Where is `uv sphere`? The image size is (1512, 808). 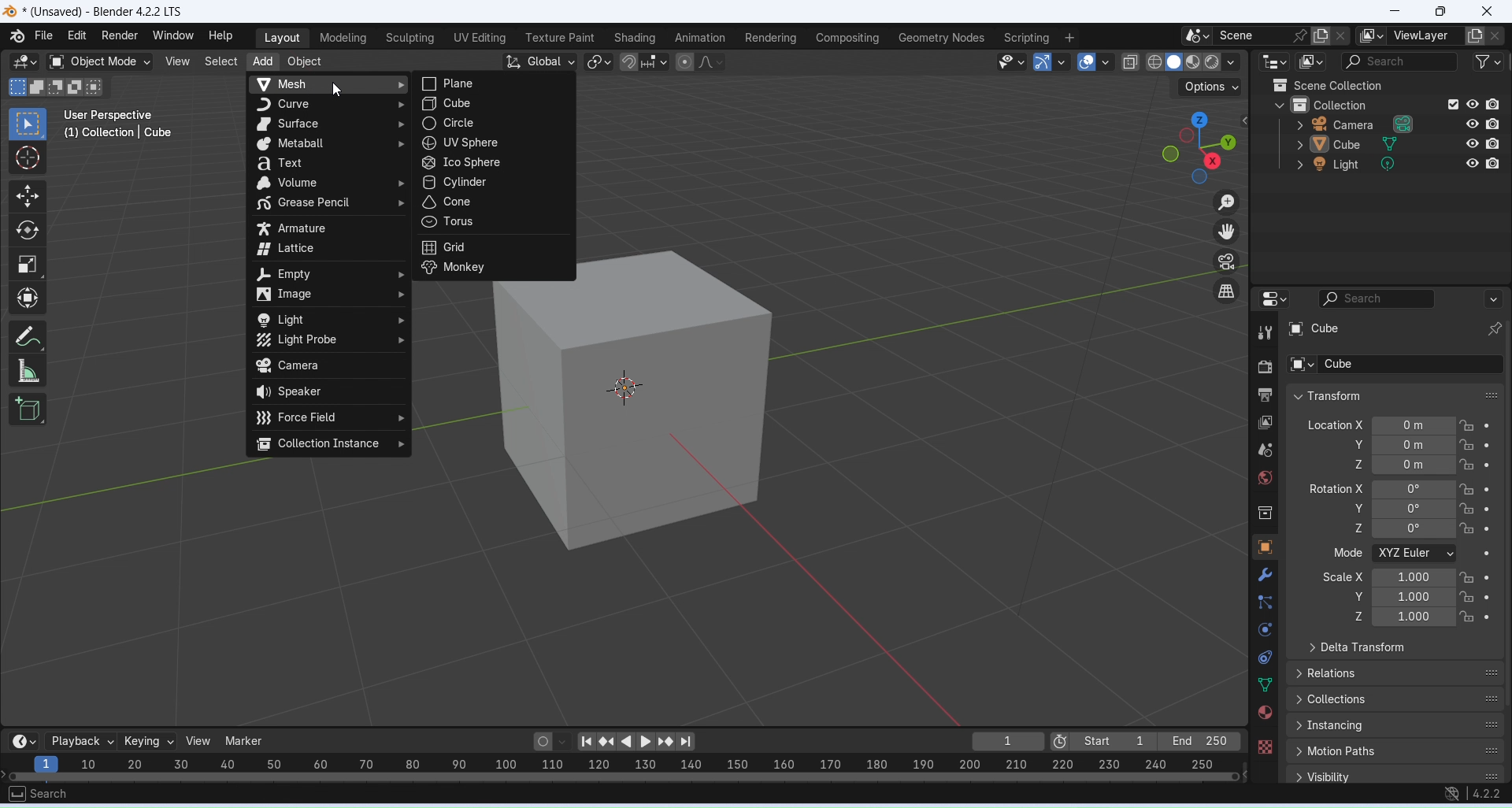 uv sphere is located at coordinates (484, 143).